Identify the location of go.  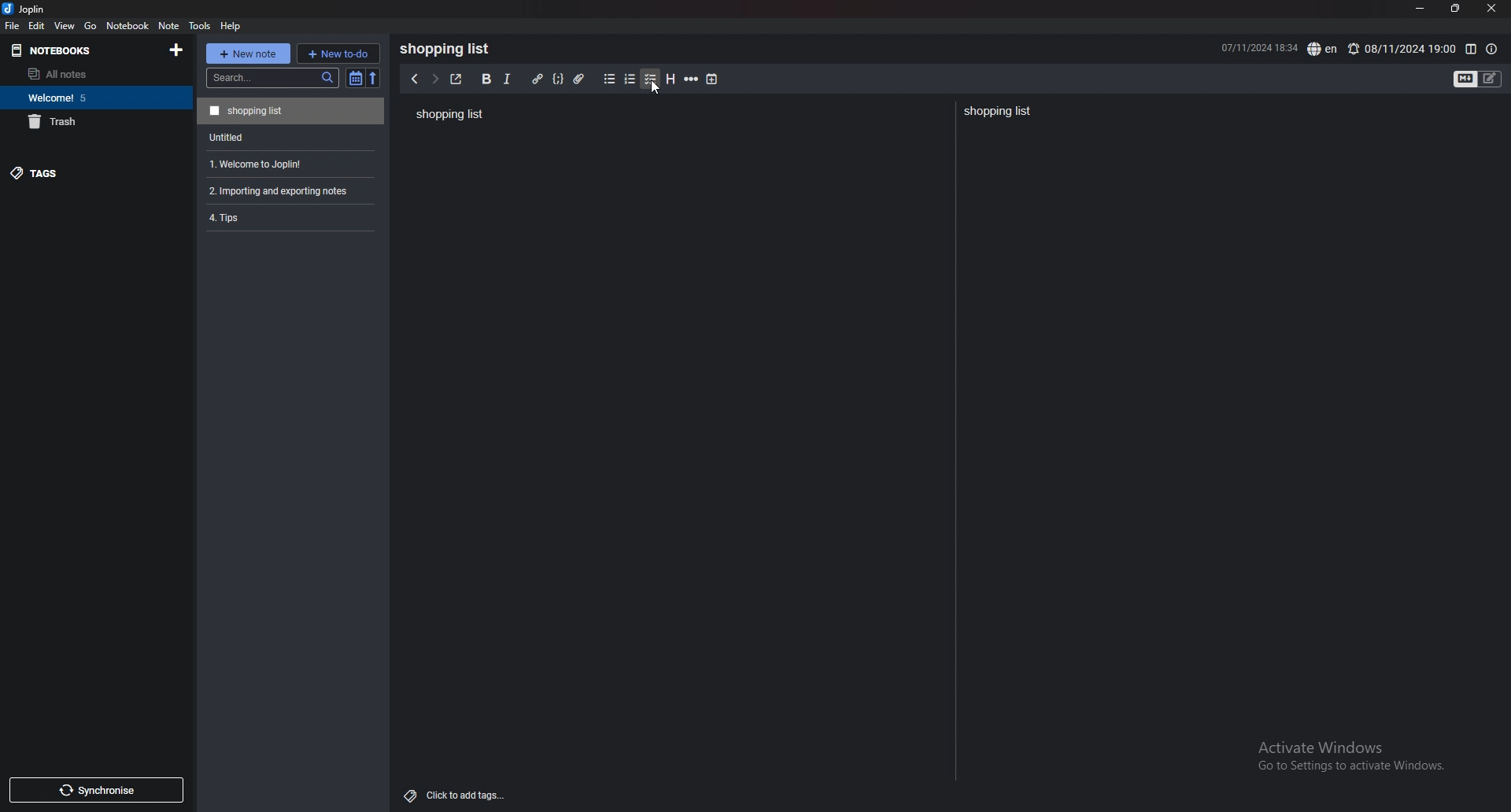
(91, 27).